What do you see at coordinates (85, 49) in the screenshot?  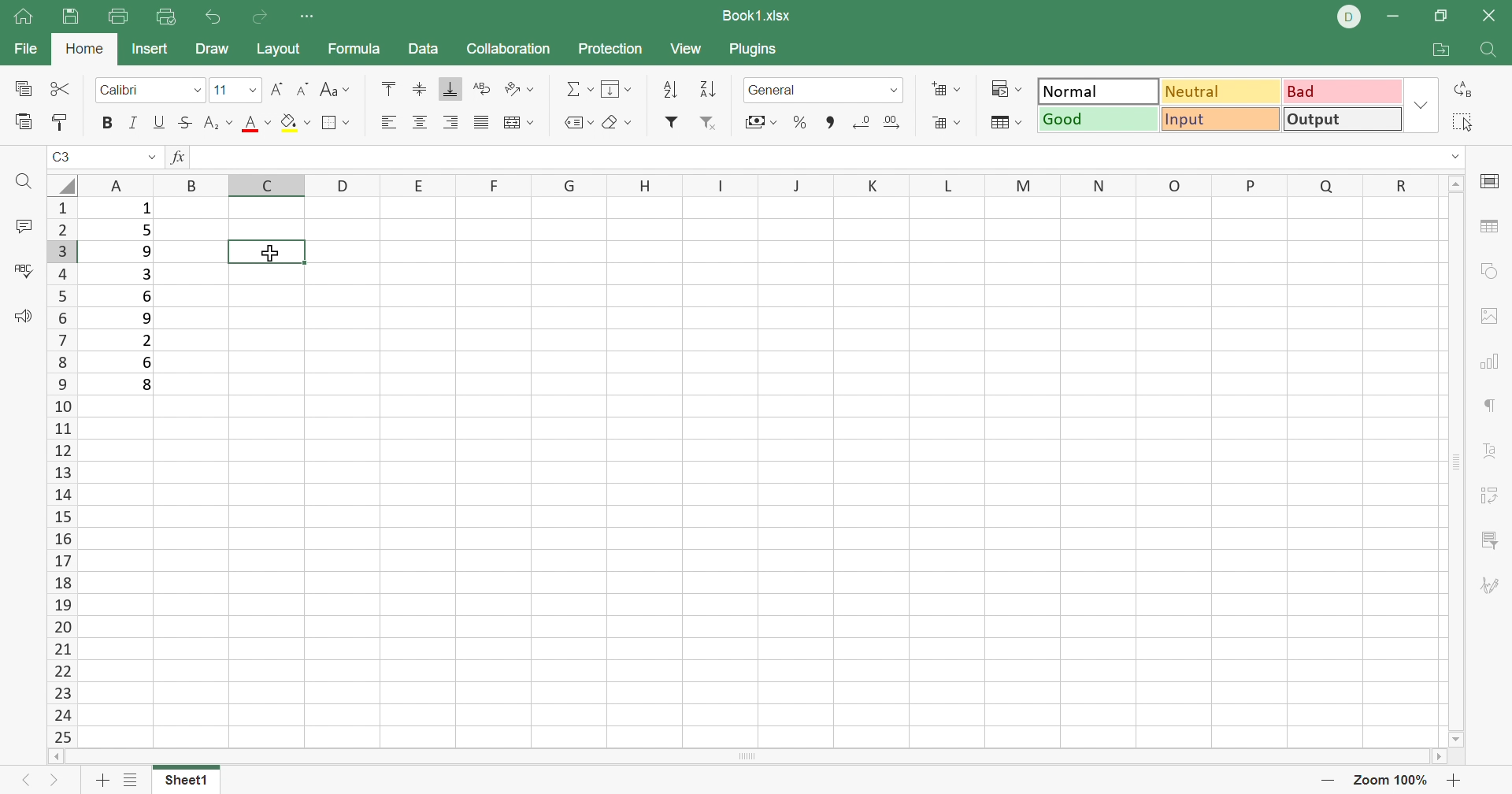 I see `Home` at bounding box center [85, 49].